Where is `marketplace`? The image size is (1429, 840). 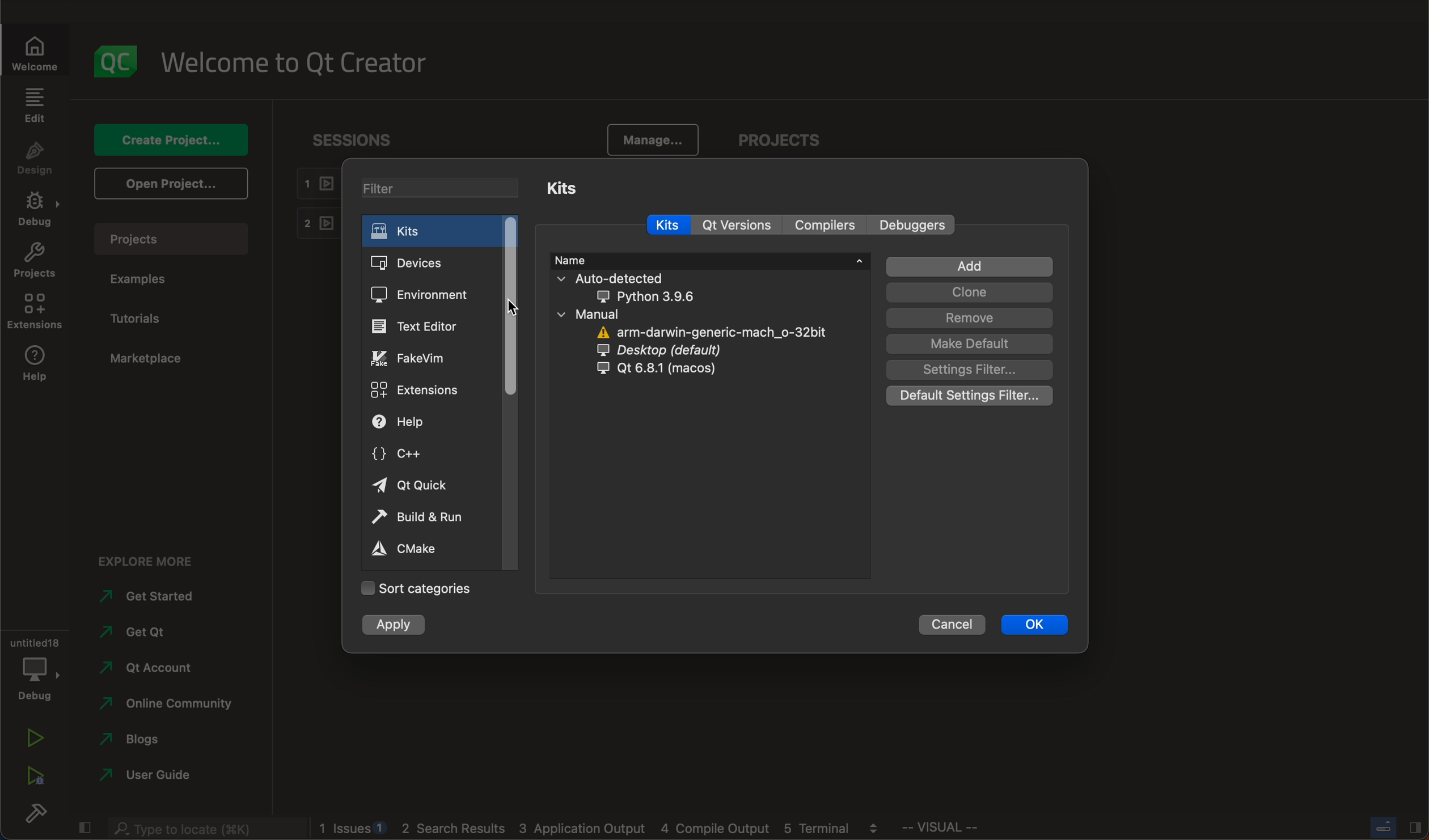
marketplace is located at coordinates (152, 360).